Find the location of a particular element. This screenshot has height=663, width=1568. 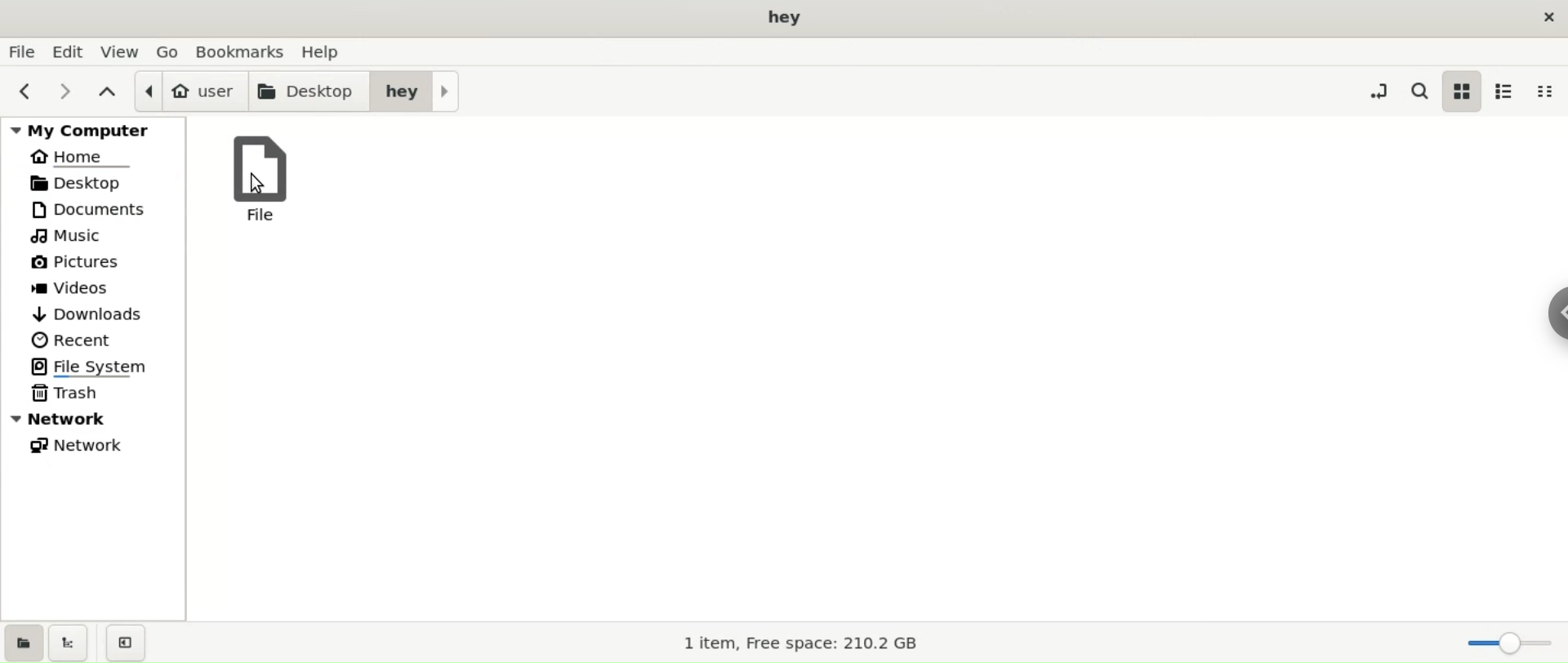

toggle location entry is located at coordinates (1373, 93).